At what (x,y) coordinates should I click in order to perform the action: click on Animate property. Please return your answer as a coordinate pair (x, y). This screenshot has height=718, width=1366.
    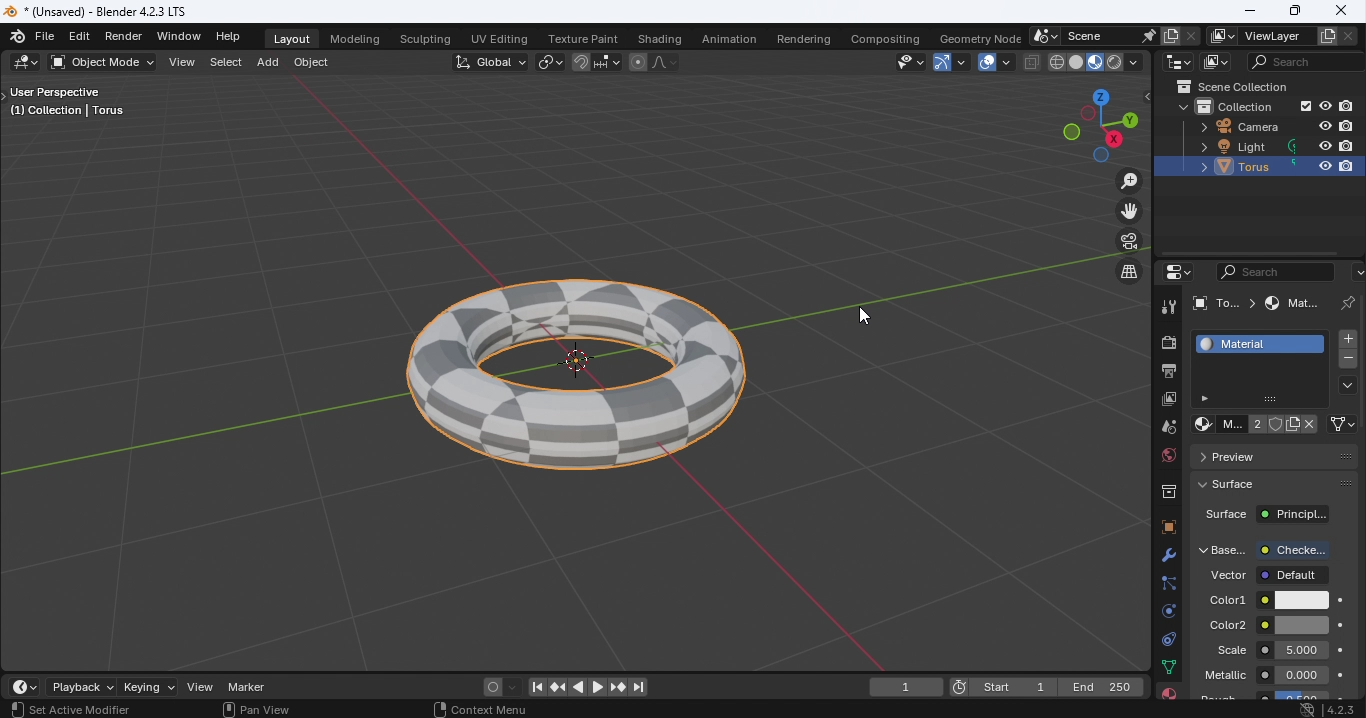
    Looking at the image, I should click on (1339, 627).